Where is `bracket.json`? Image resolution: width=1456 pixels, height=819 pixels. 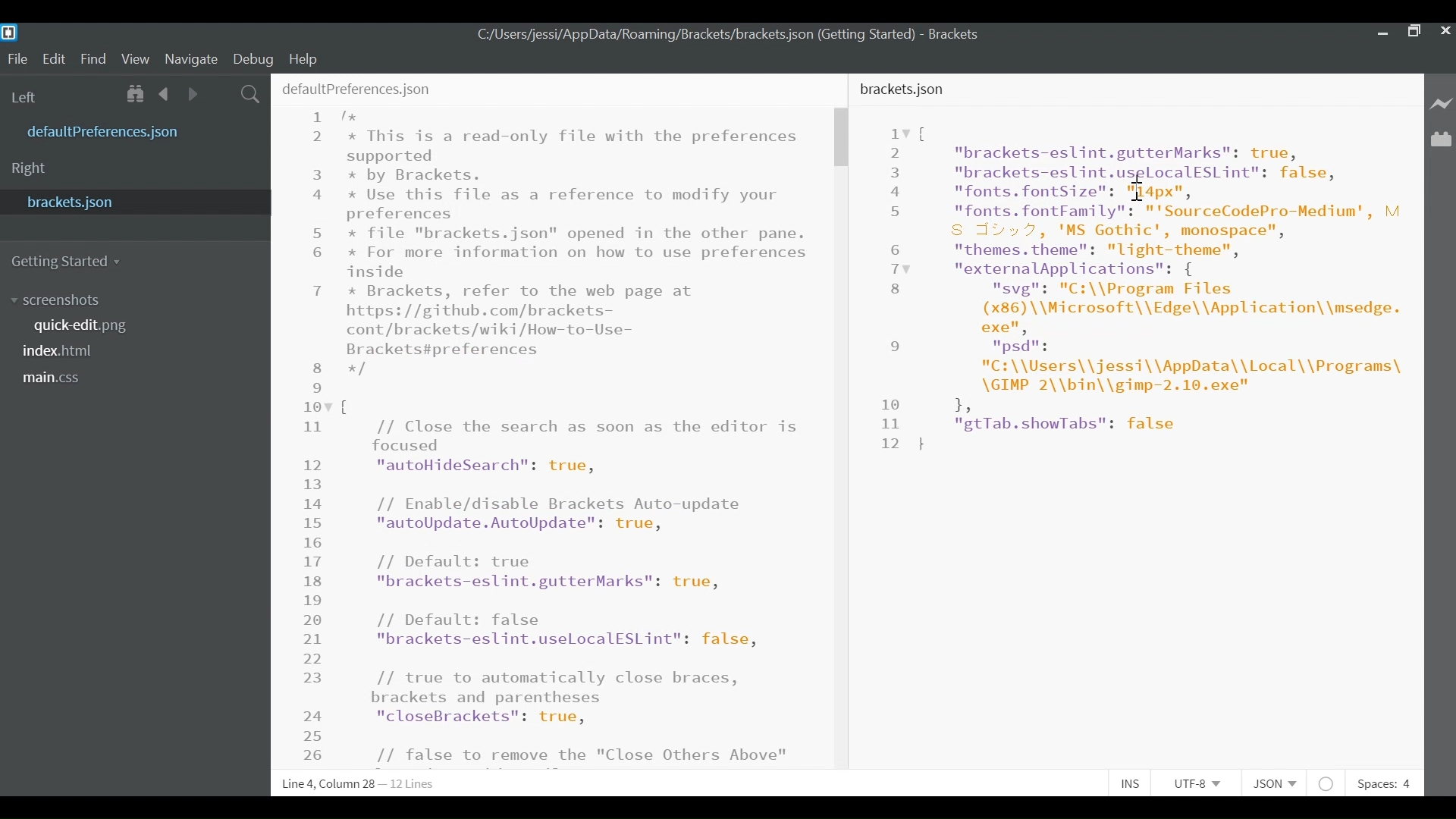 bracket.json is located at coordinates (132, 201).